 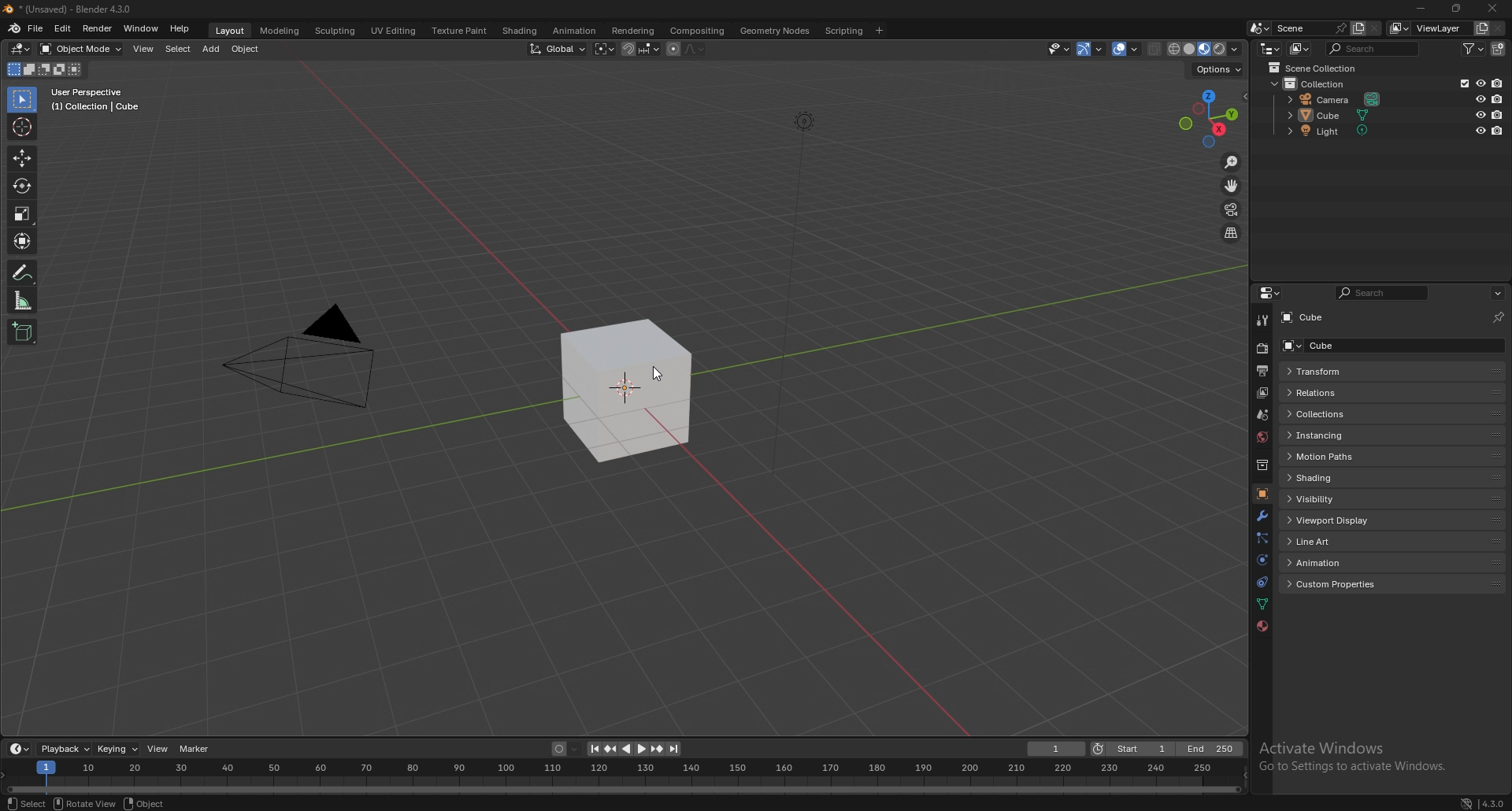 What do you see at coordinates (1480, 28) in the screenshot?
I see `add view layer` at bounding box center [1480, 28].